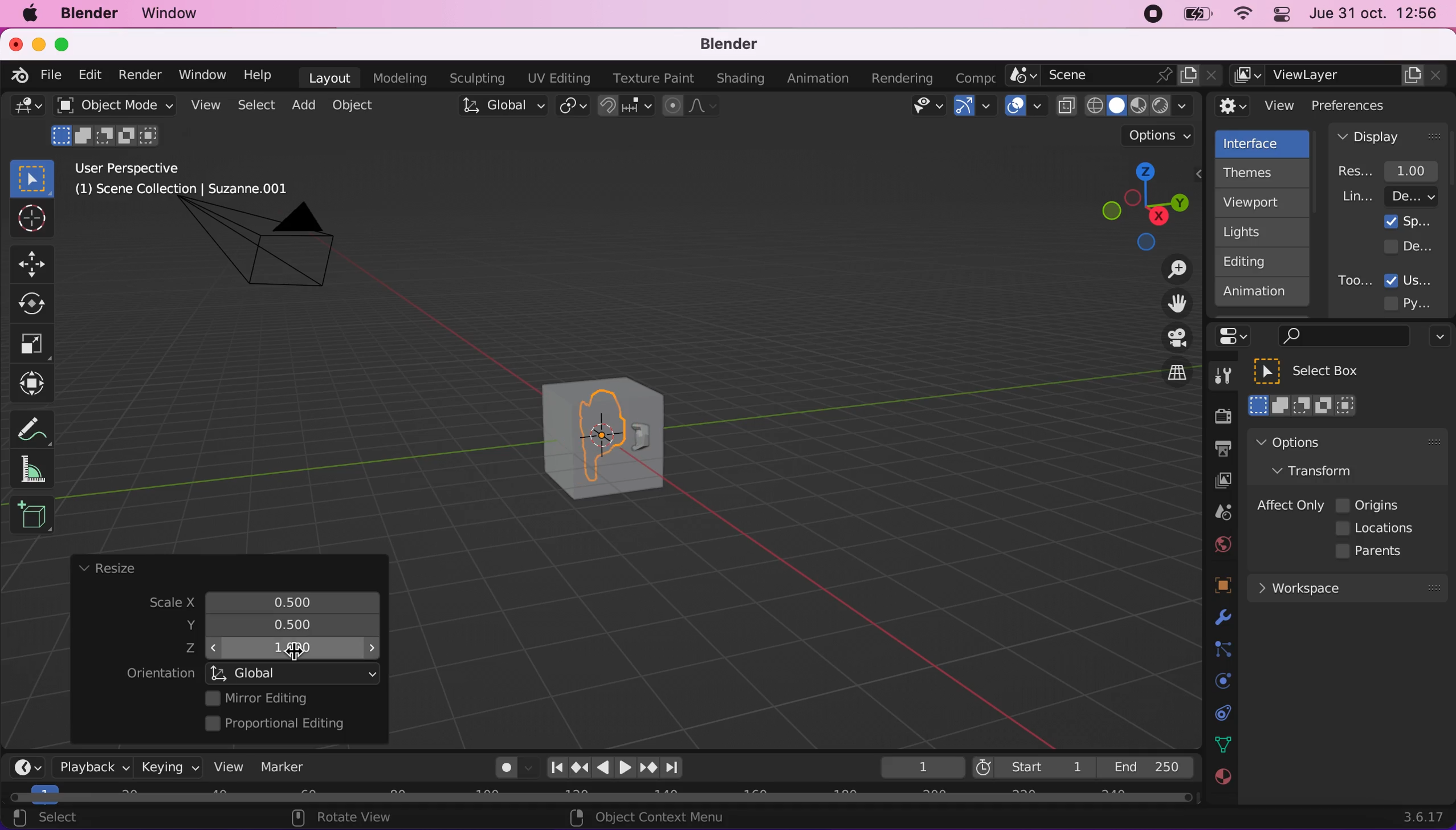 The image size is (1456, 830). Describe the element at coordinates (1169, 339) in the screenshot. I see `toggle the camera view` at that location.